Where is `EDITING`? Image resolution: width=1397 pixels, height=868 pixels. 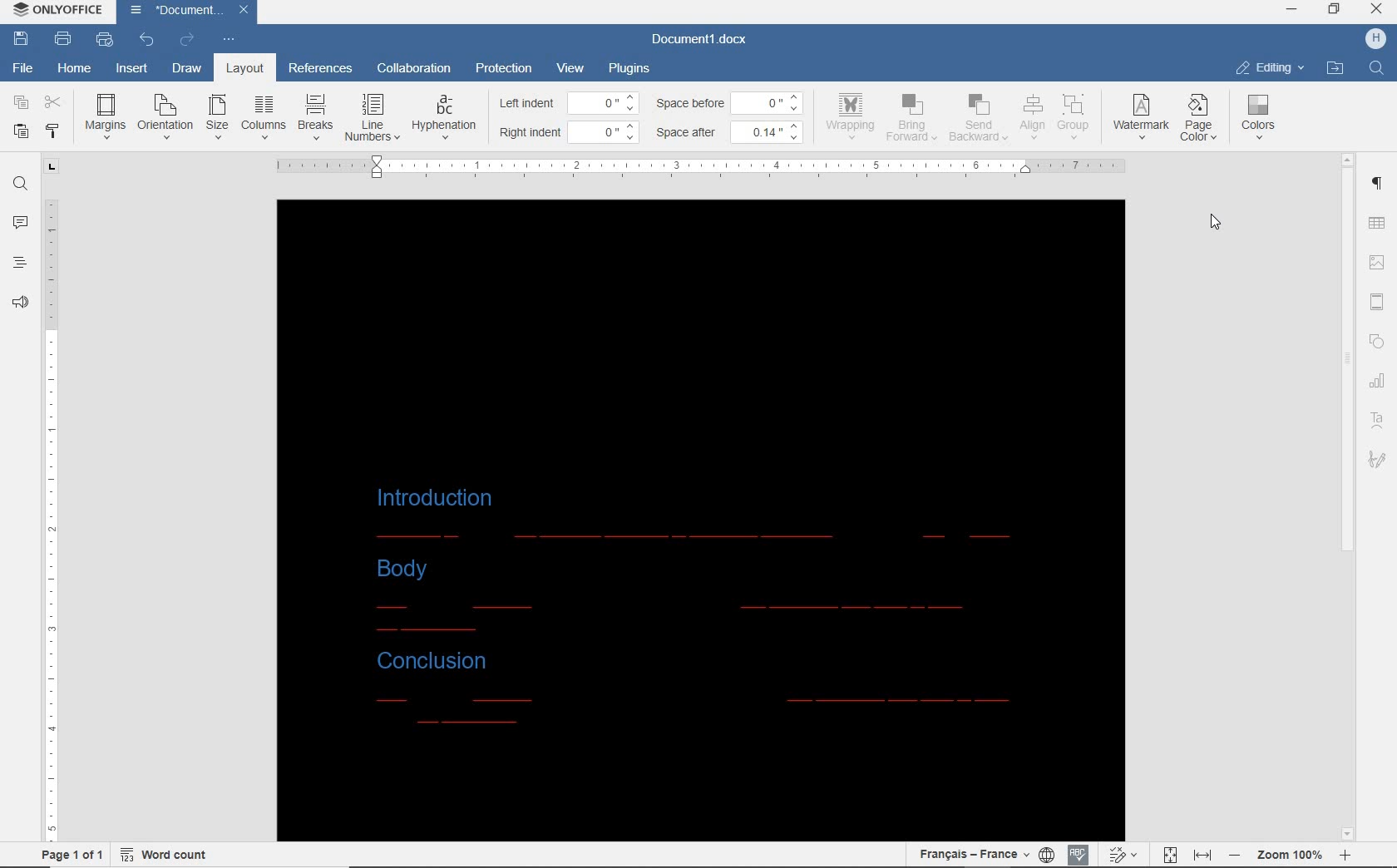
EDITING is located at coordinates (1271, 68).